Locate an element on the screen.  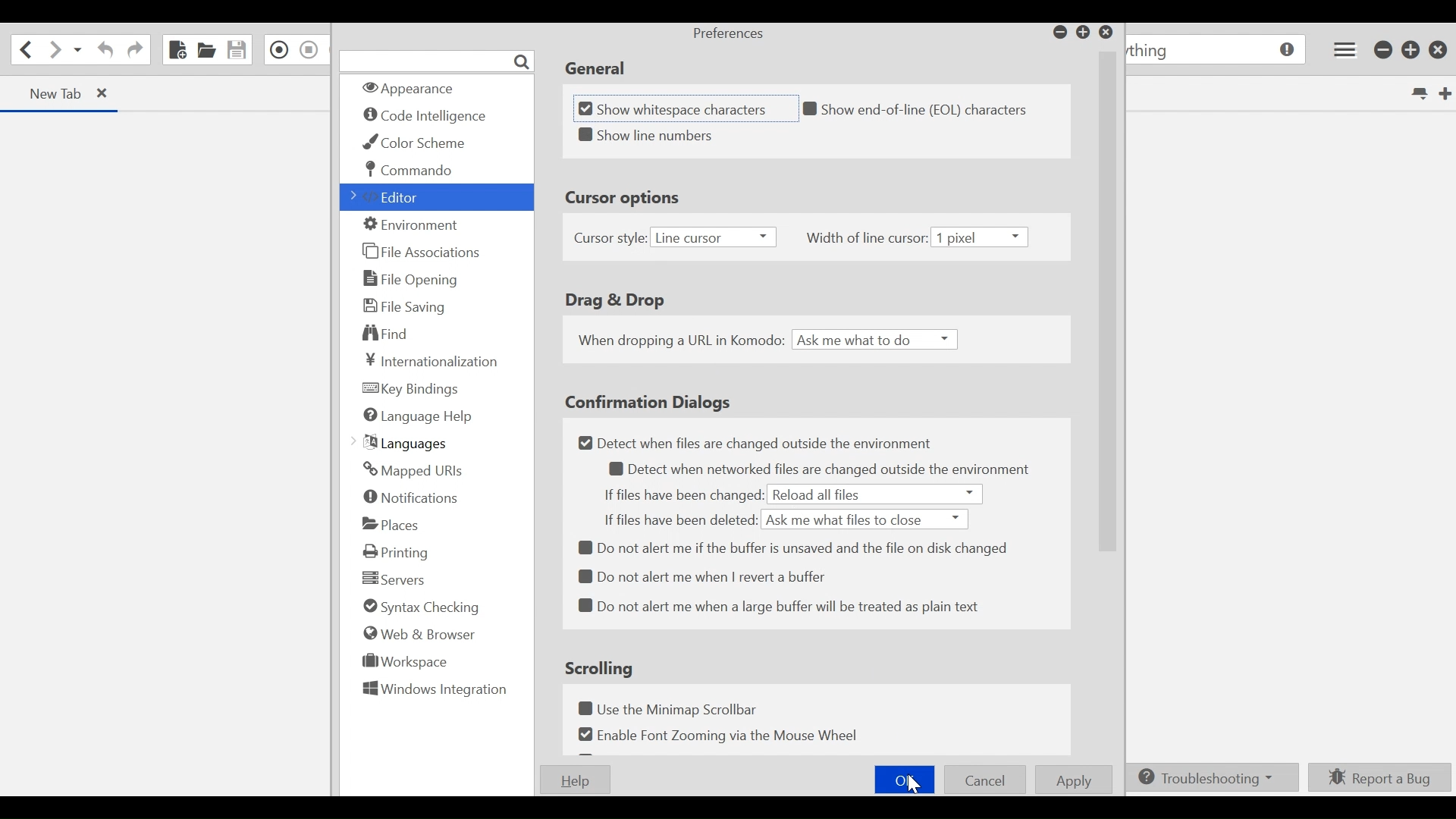
1 pixel is located at coordinates (984, 239).